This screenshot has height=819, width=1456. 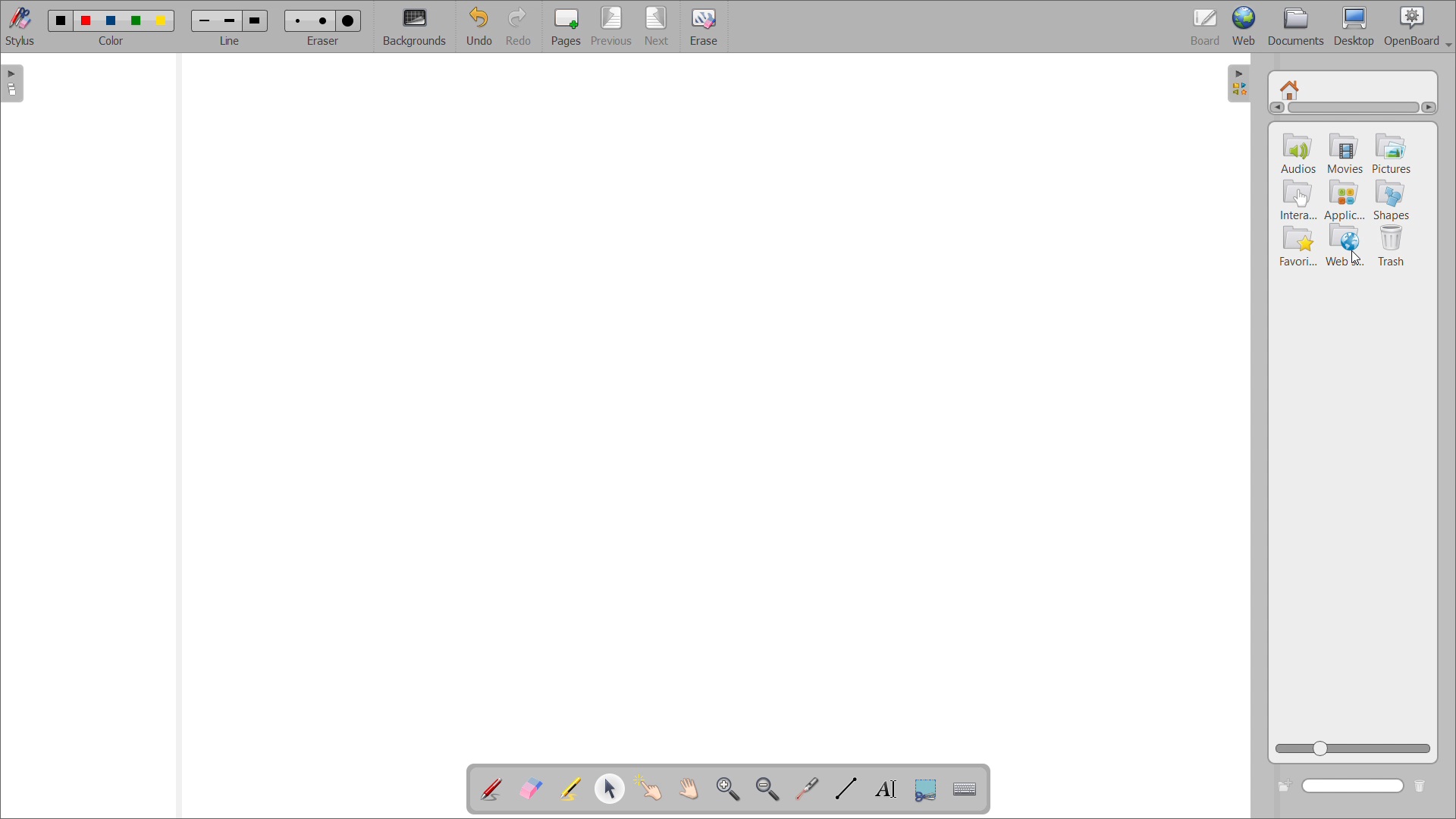 What do you see at coordinates (1298, 246) in the screenshot?
I see `favorites` at bounding box center [1298, 246].